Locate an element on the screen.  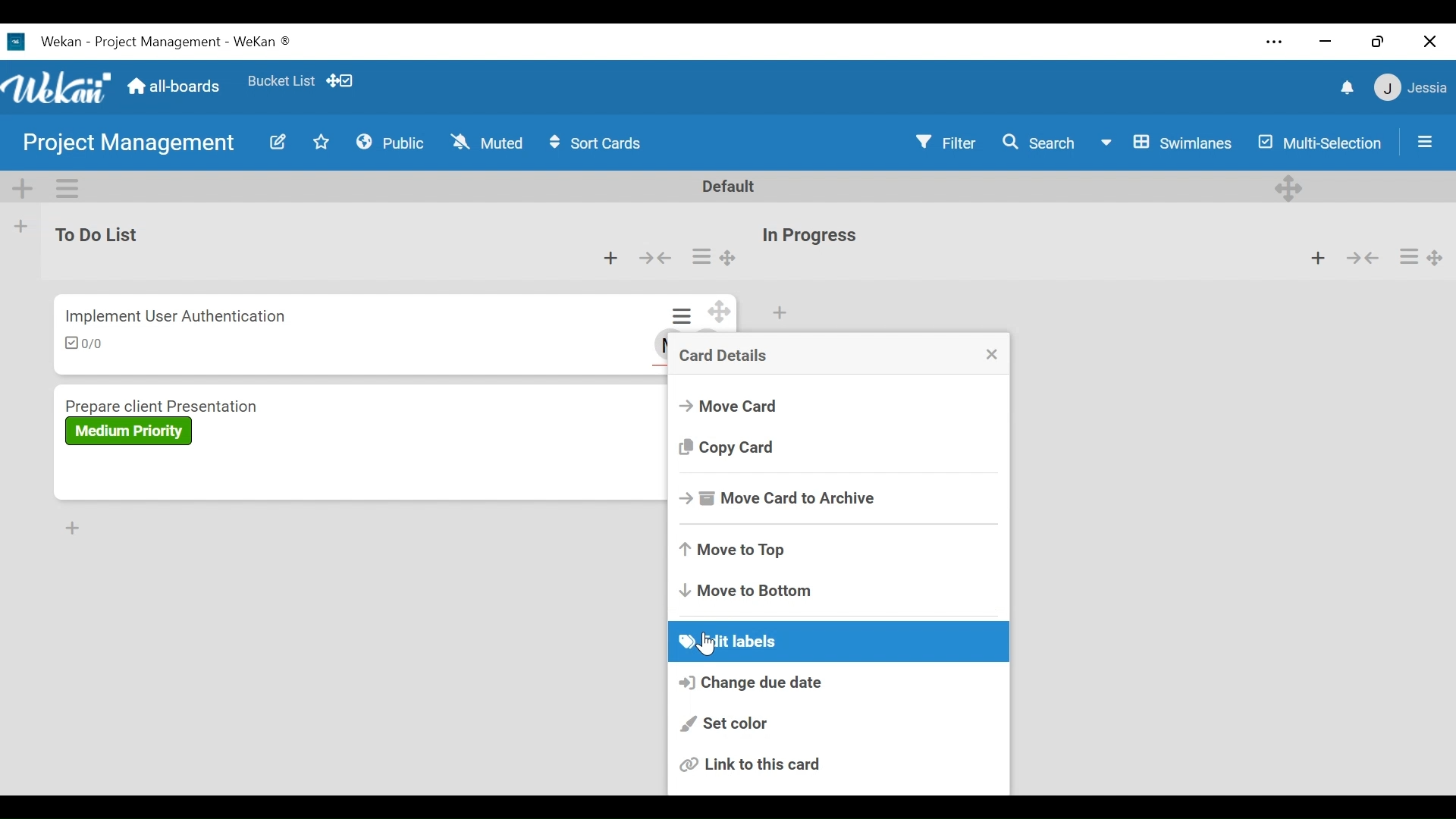
Cursor is located at coordinates (706, 645).